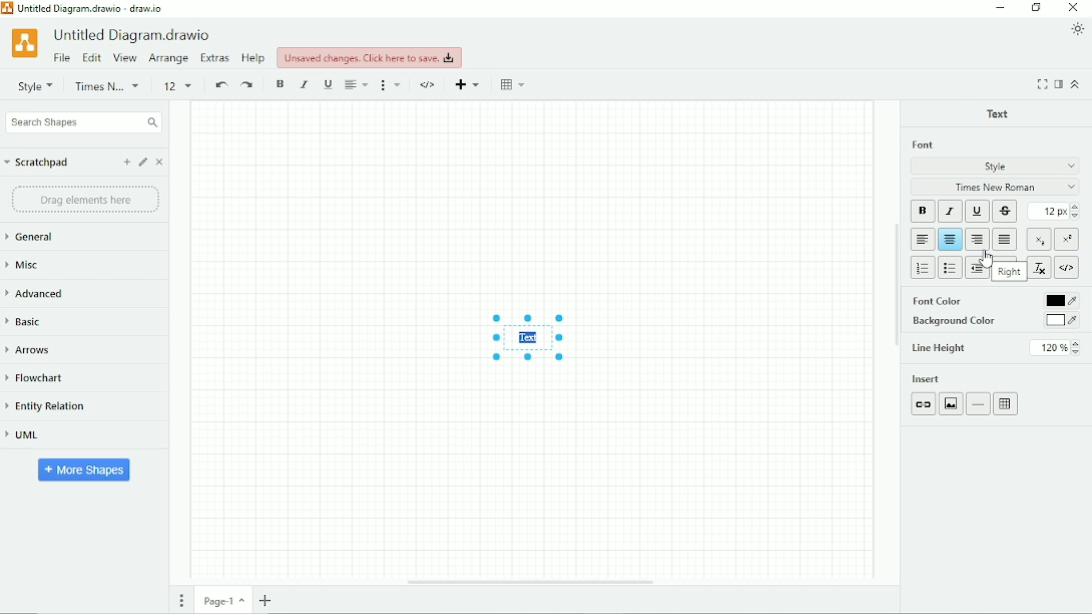  I want to click on Table, so click(512, 84).